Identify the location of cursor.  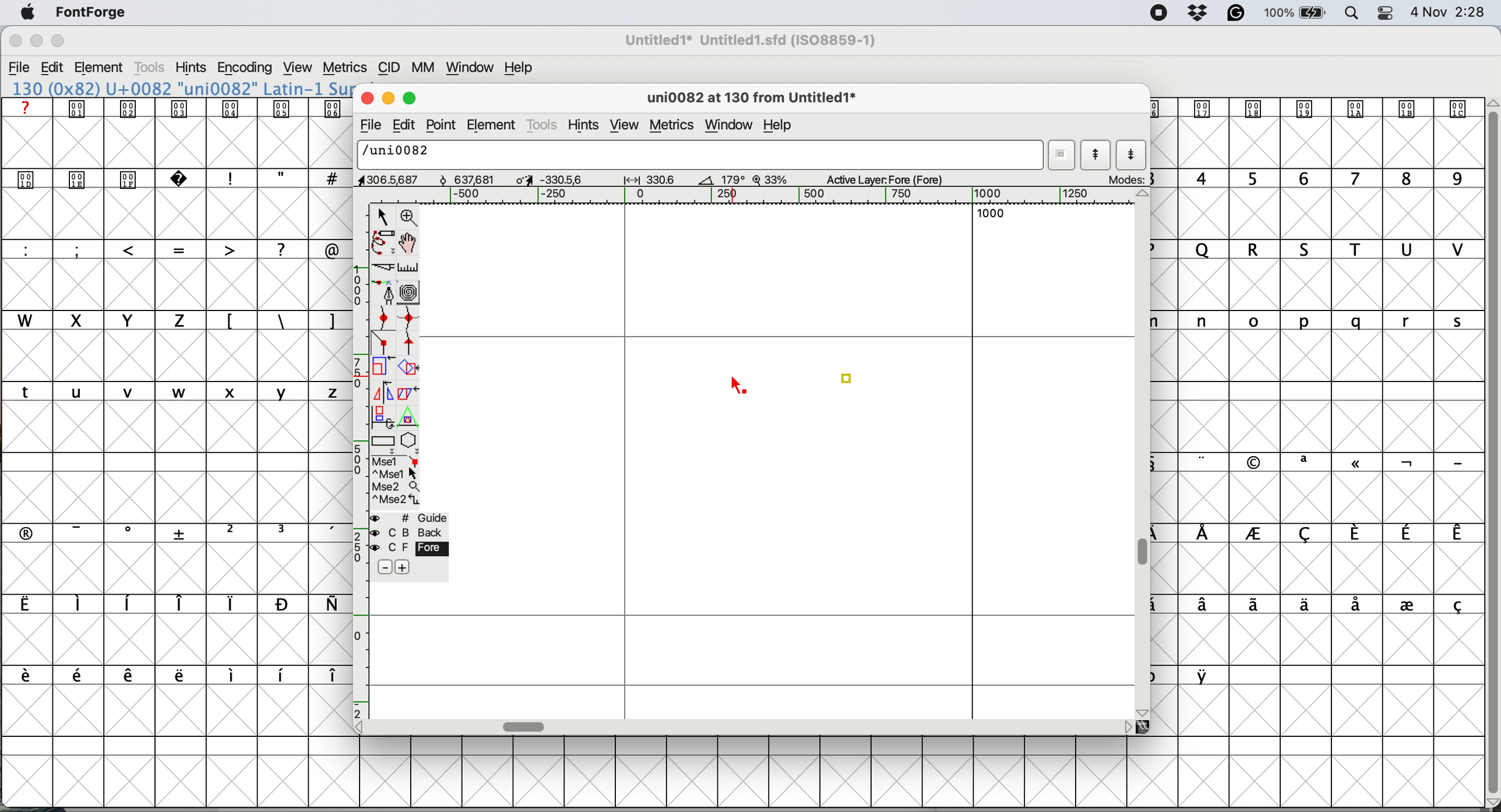
(738, 383).